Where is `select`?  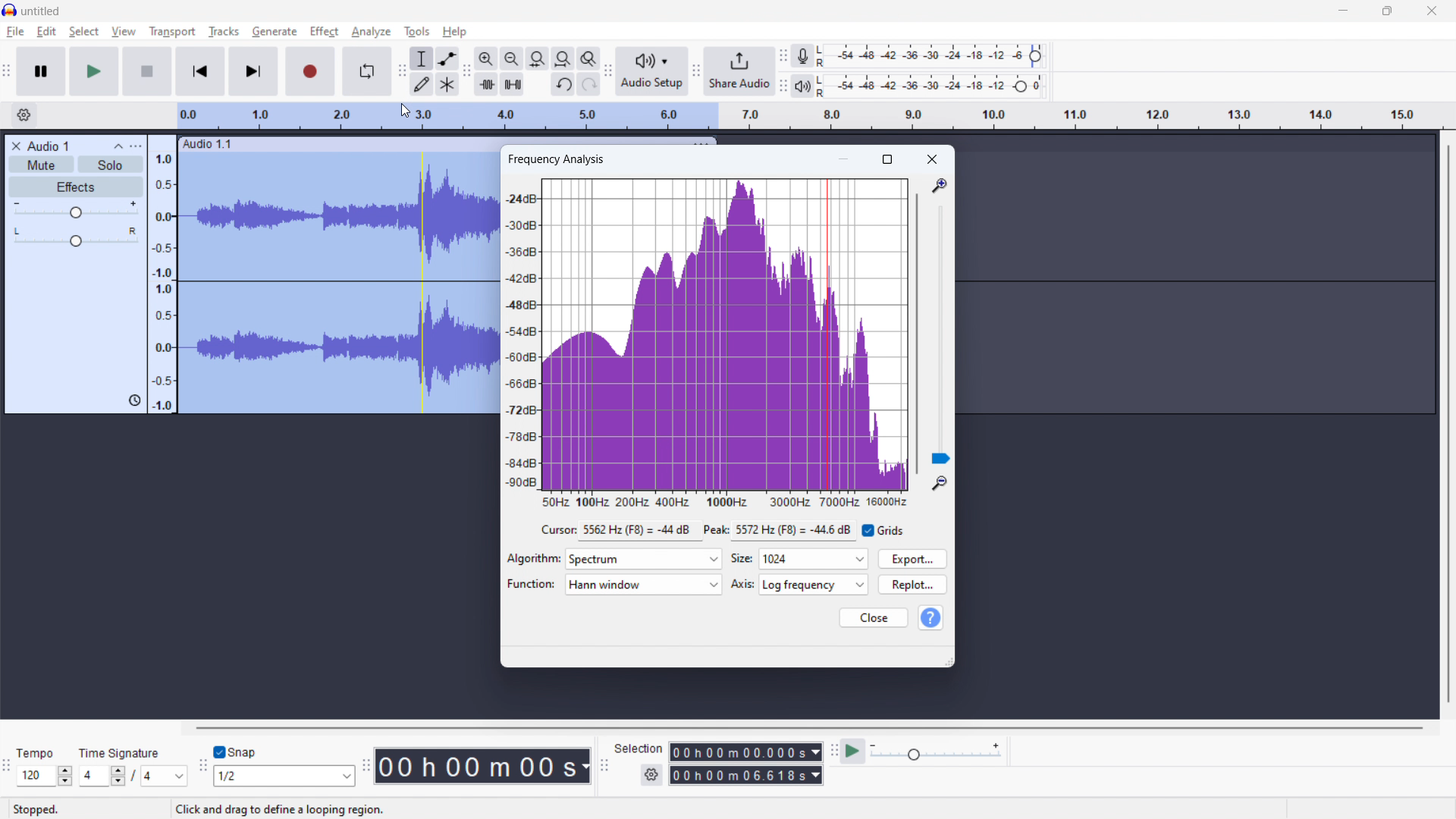
select is located at coordinates (84, 31).